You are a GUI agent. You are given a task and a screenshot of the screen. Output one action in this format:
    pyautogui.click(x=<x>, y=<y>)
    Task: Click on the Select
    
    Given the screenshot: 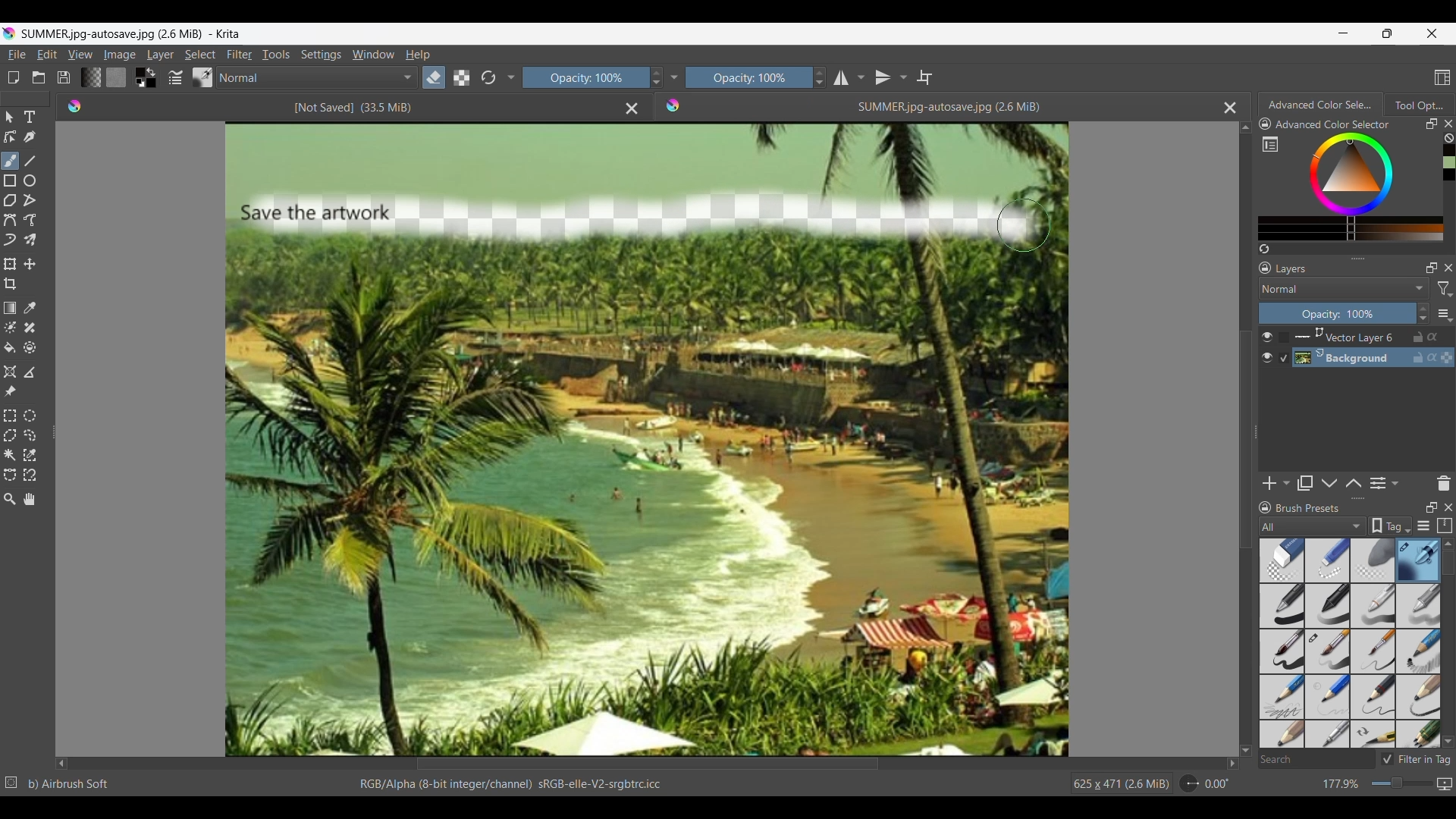 What is the action you would take?
    pyautogui.click(x=200, y=55)
    